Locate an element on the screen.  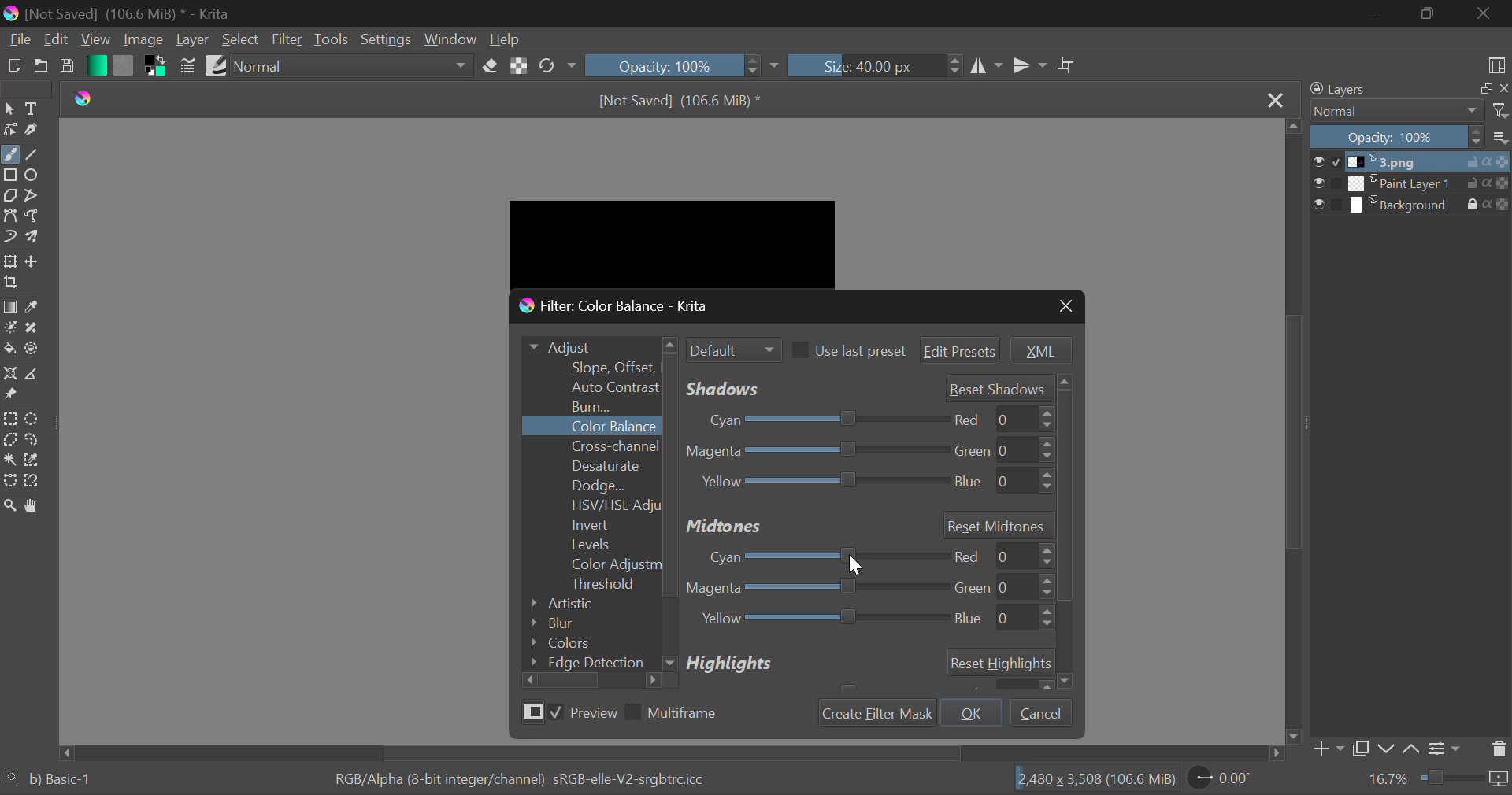
Polygon Selection is located at coordinates (10, 441).